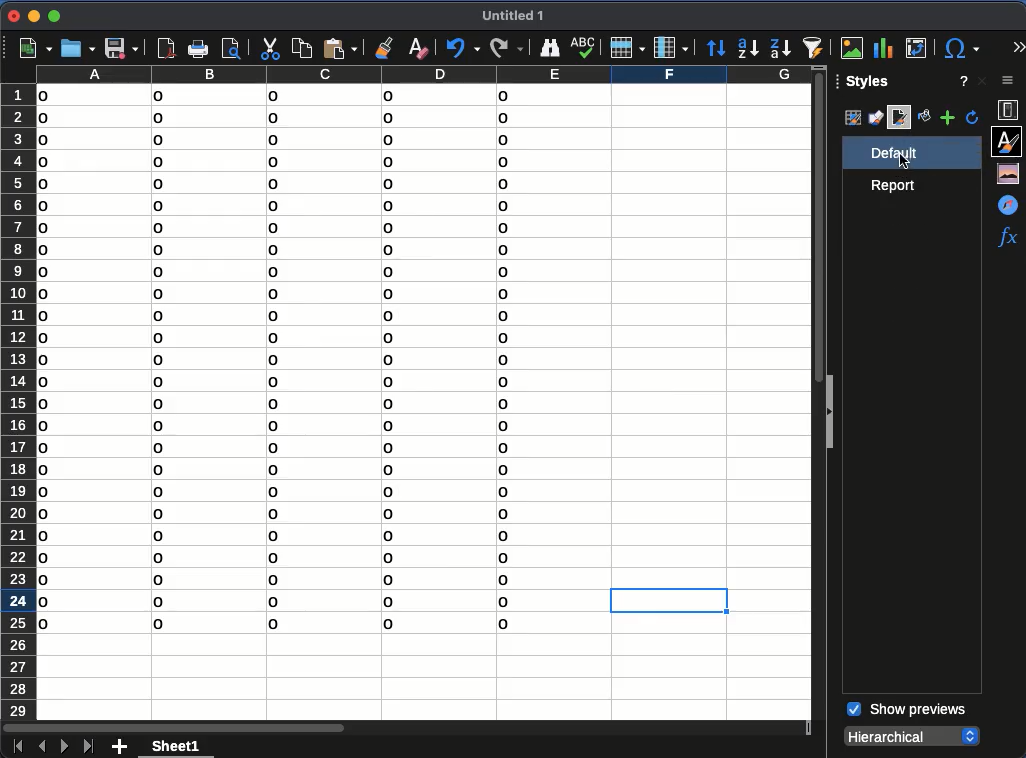  What do you see at coordinates (233, 47) in the screenshot?
I see `print preview` at bounding box center [233, 47].